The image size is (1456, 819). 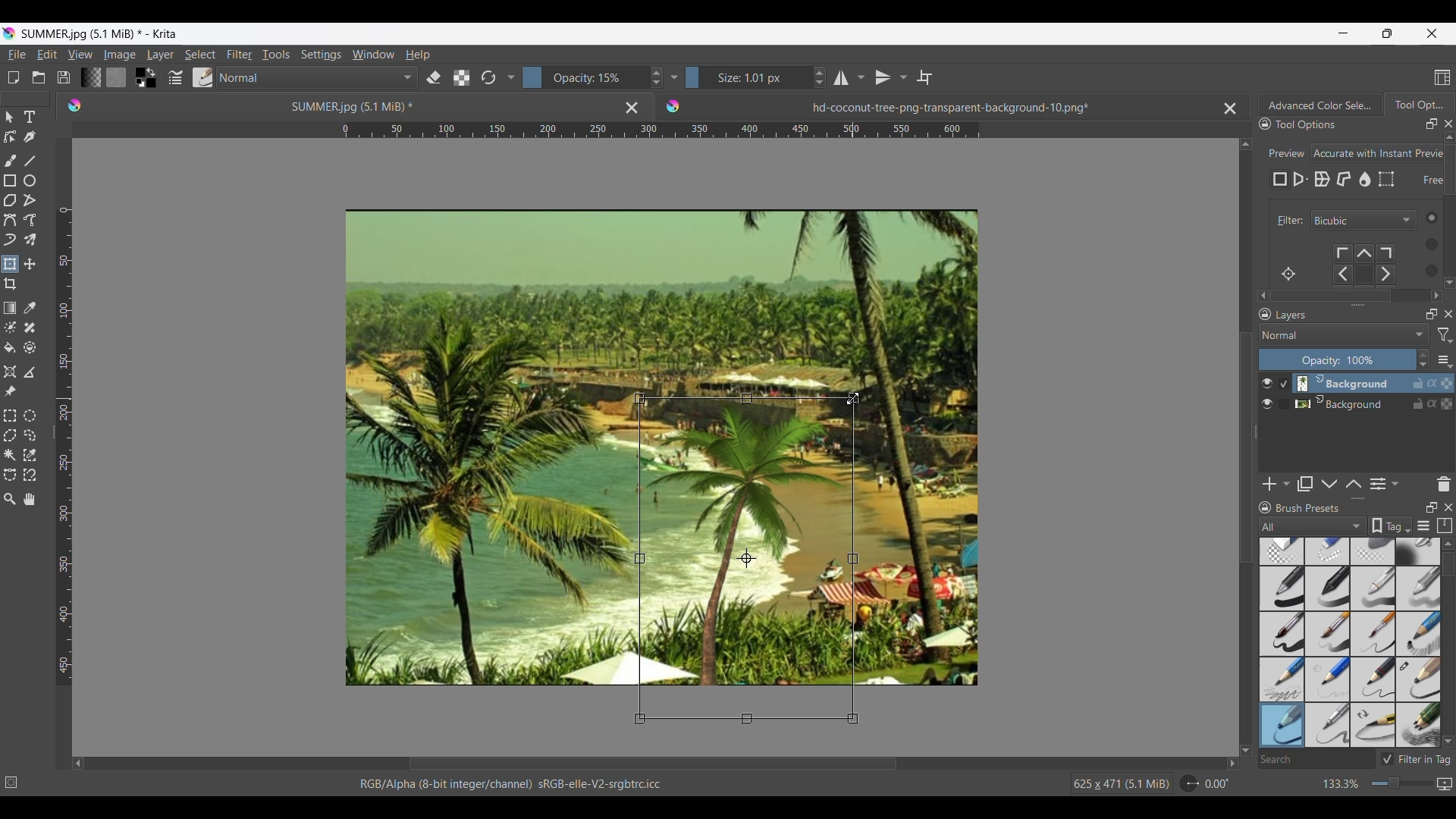 I want to click on pencil 1-sketch, so click(x=1419, y=634).